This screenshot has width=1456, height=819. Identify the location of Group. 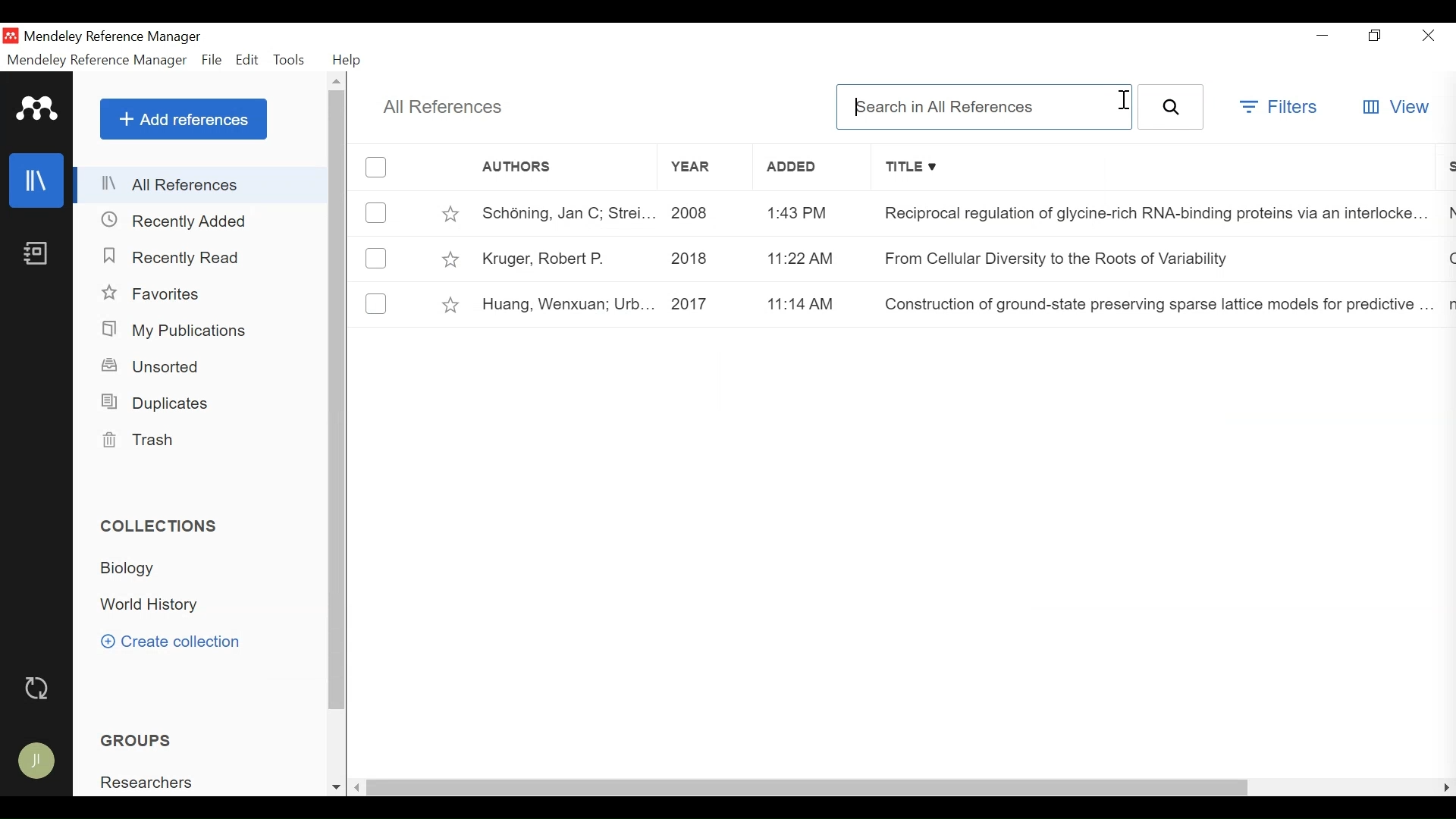
(145, 781).